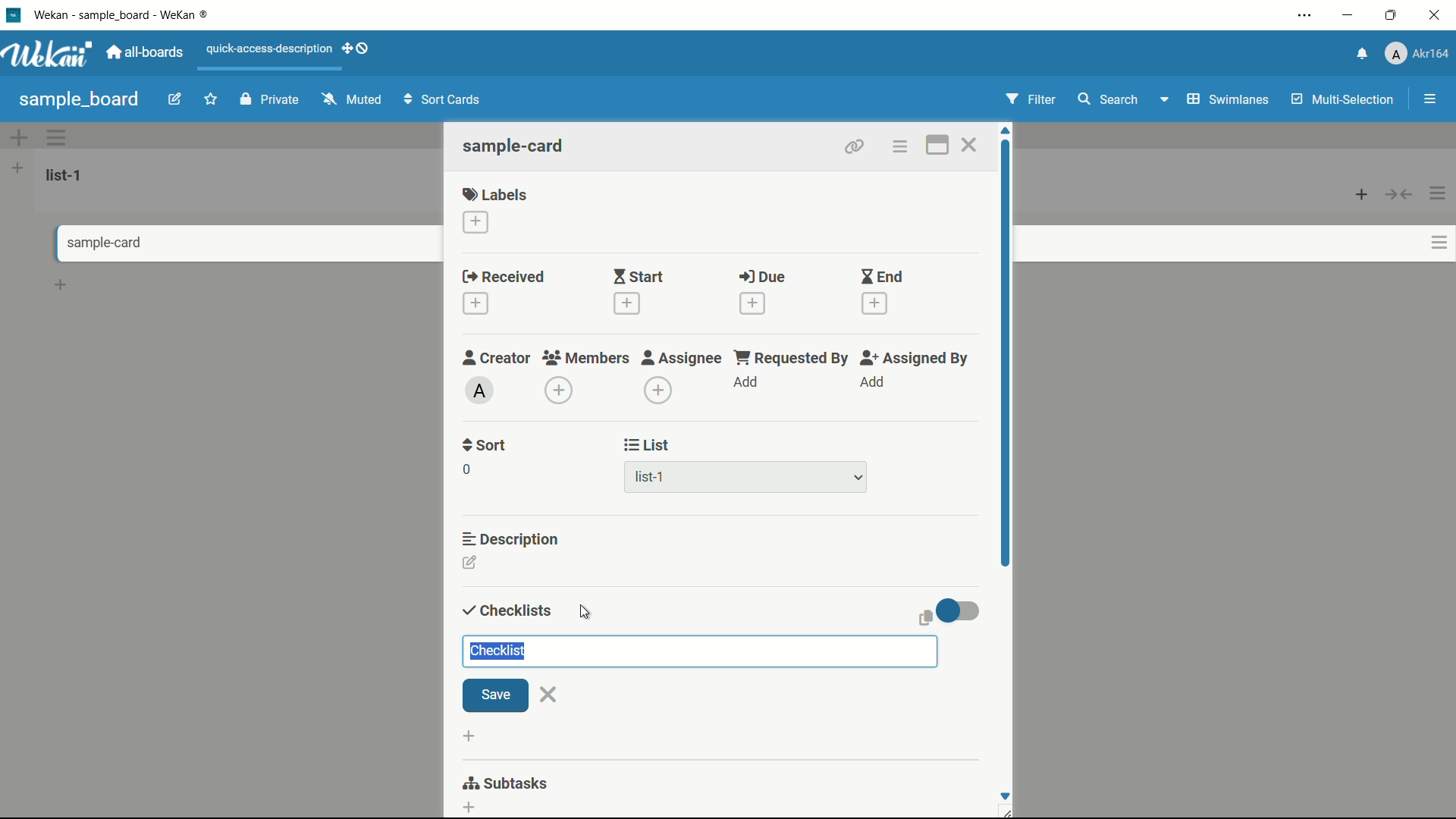 Image resolution: width=1456 pixels, height=819 pixels. Describe the element at coordinates (146, 52) in the screenshot. I see `all boards` at that location.